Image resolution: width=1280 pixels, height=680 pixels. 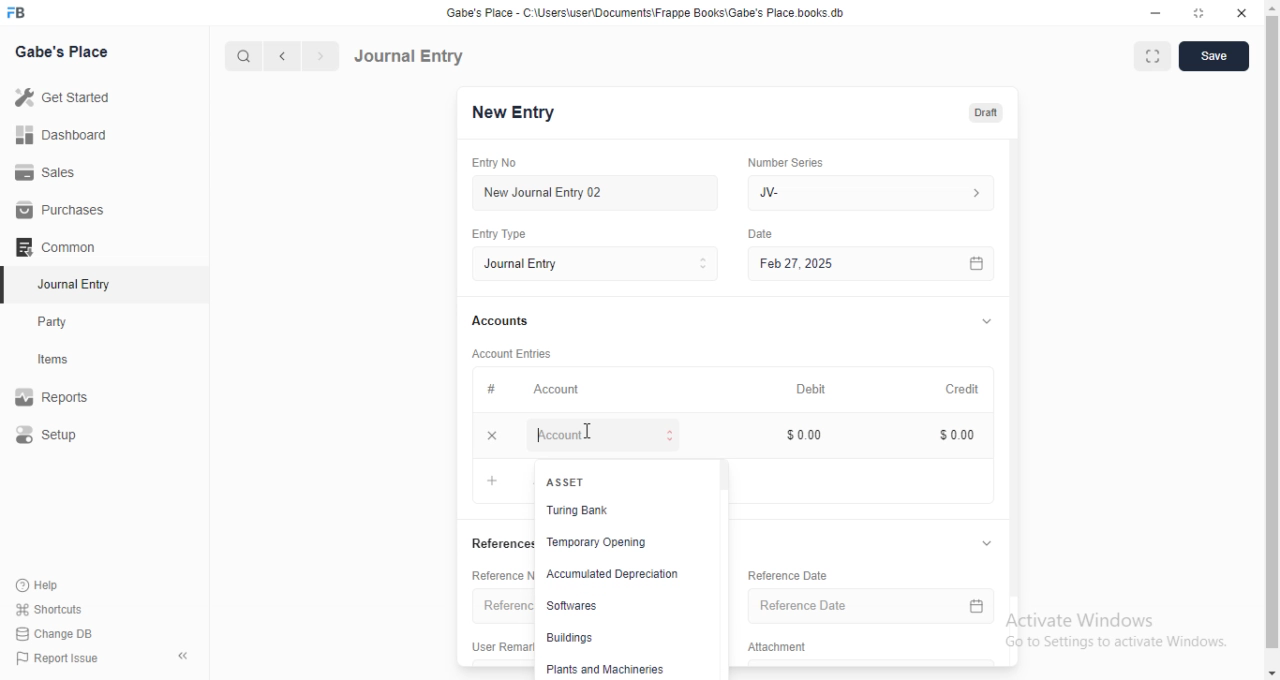 I want to click on Purchases, so click(x=56, y=208).